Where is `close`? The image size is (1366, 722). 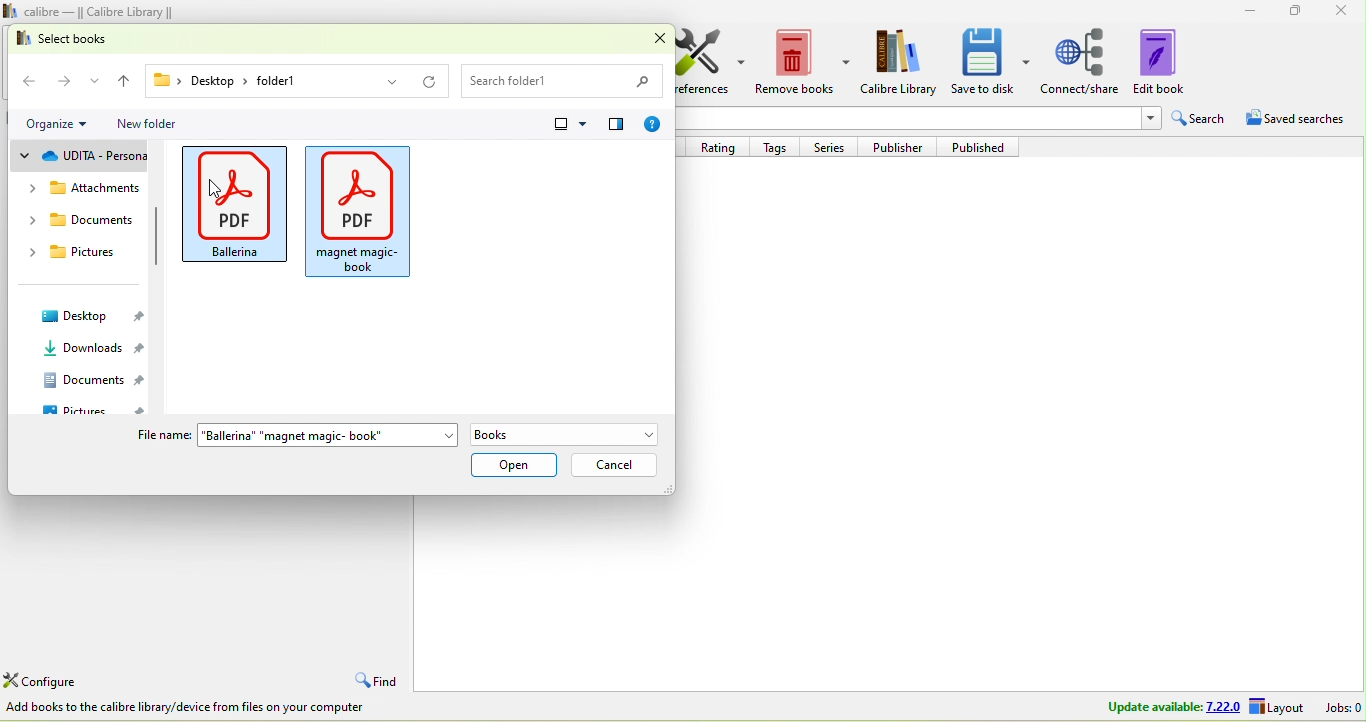 close is located at coordinates (651, 39).